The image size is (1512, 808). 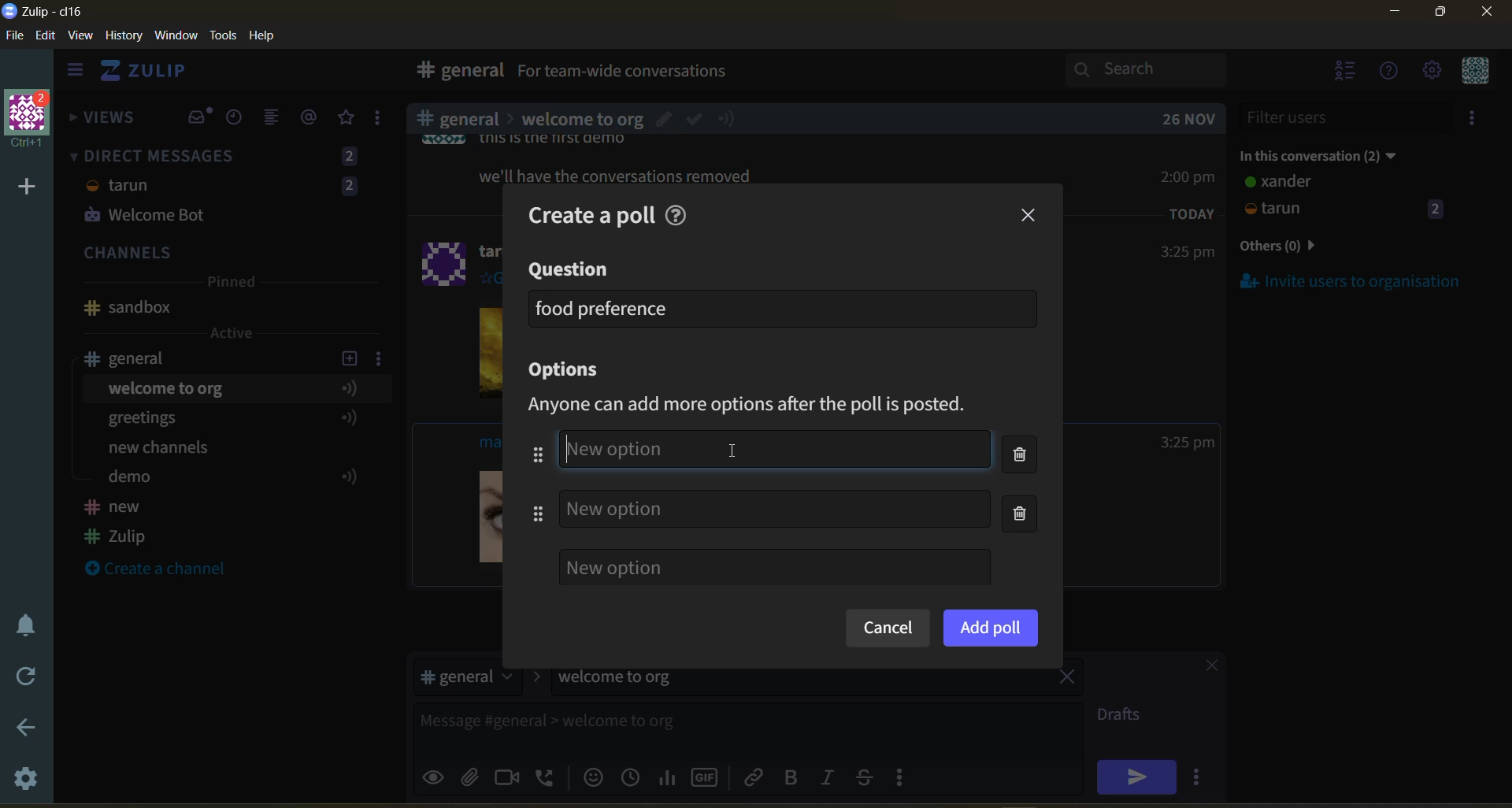 What do you see at coordinates (154, 75) in the screenshot?
I see `home view` at bounding box center [154, 75].